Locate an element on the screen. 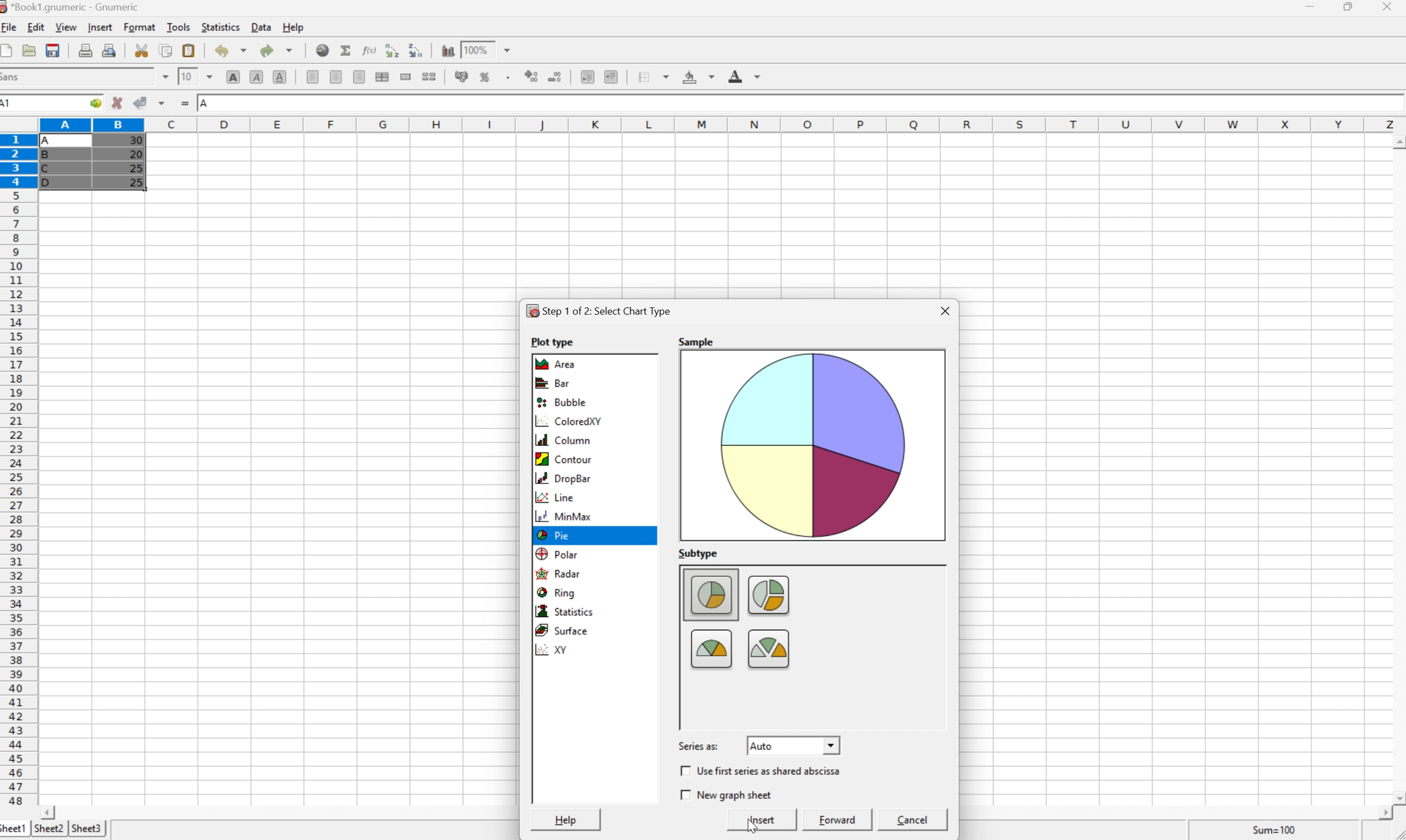 This screenshot has width=1406, height=840. Column names is located at coordinates (721, 123).